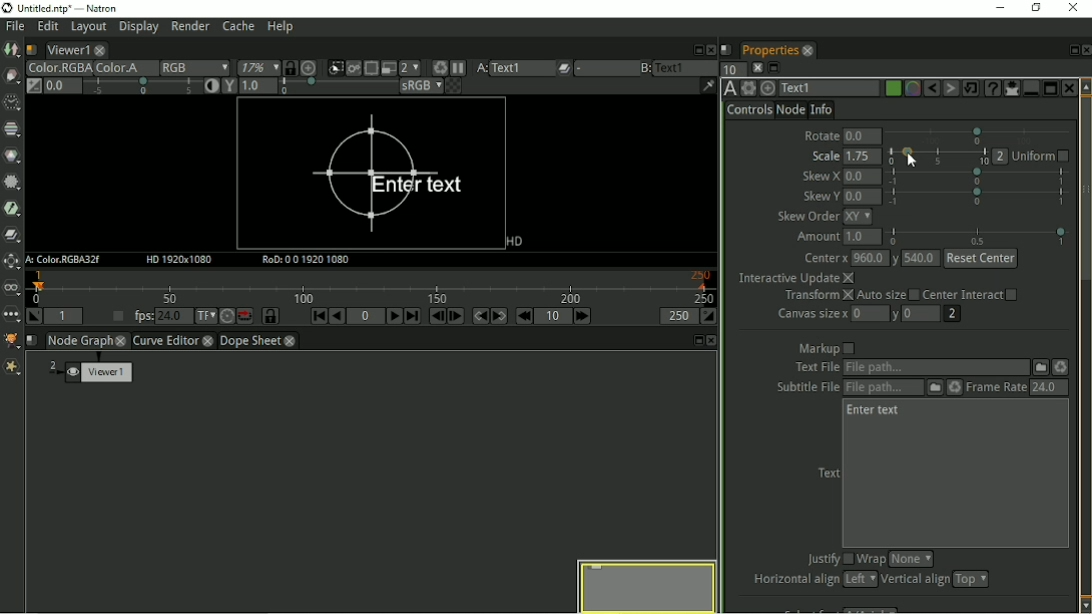 This screenshot has height=614, width=1092. What do you see at coordinates (57, 68) in the screenshot?
I see `Color` at bounding box center [57, 68].